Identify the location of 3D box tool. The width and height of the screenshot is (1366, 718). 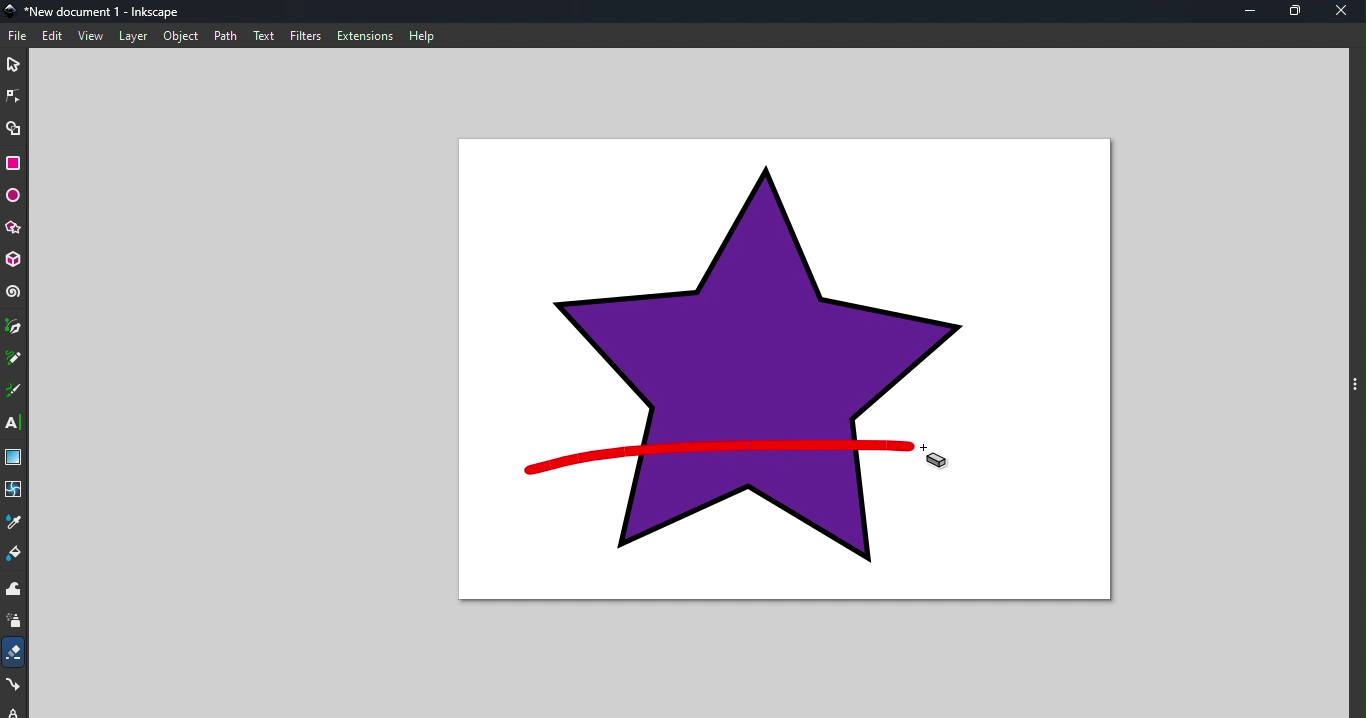
(14, 260).